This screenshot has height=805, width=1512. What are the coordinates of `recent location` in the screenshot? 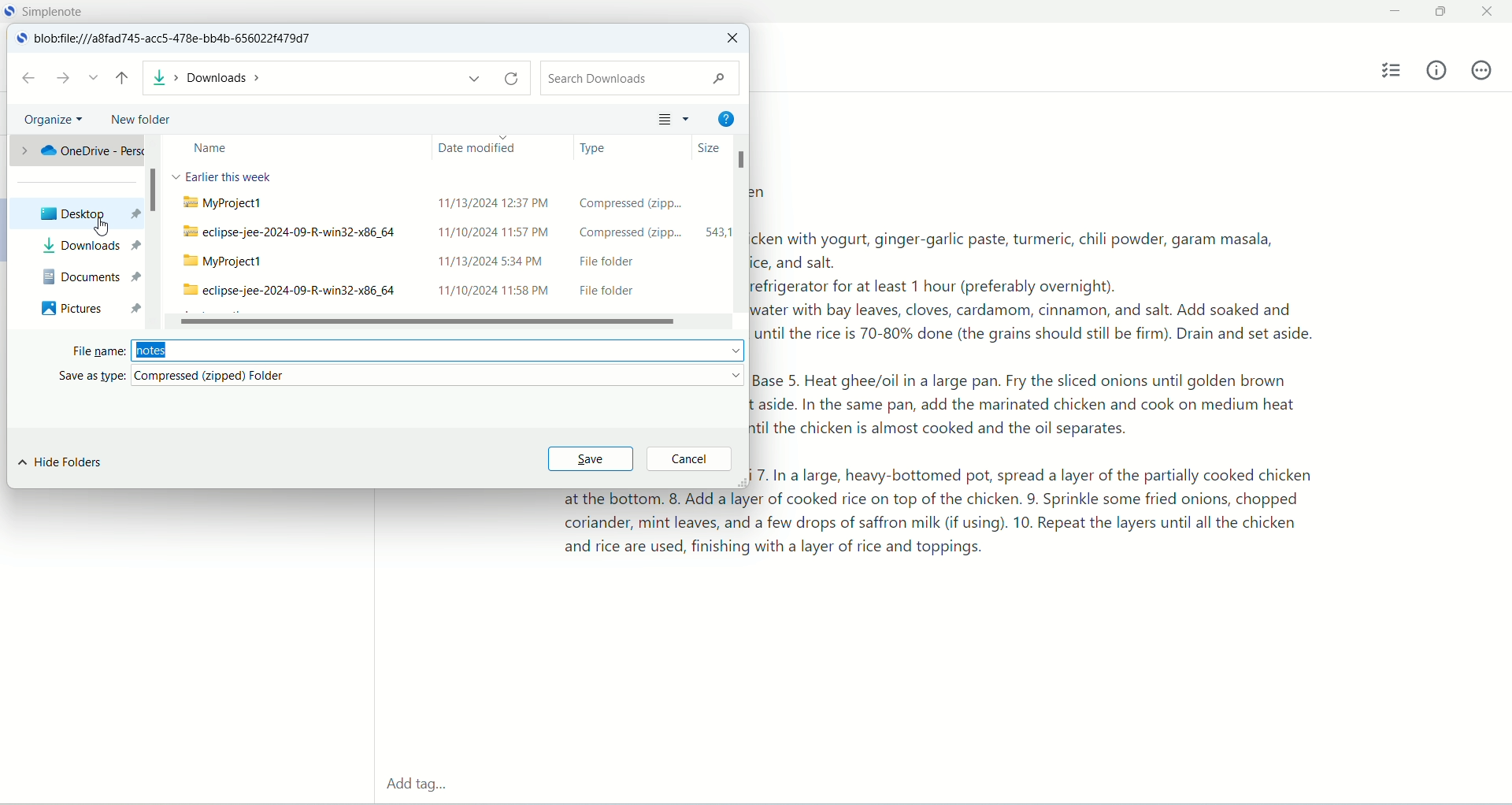 It's located at (94, 78).